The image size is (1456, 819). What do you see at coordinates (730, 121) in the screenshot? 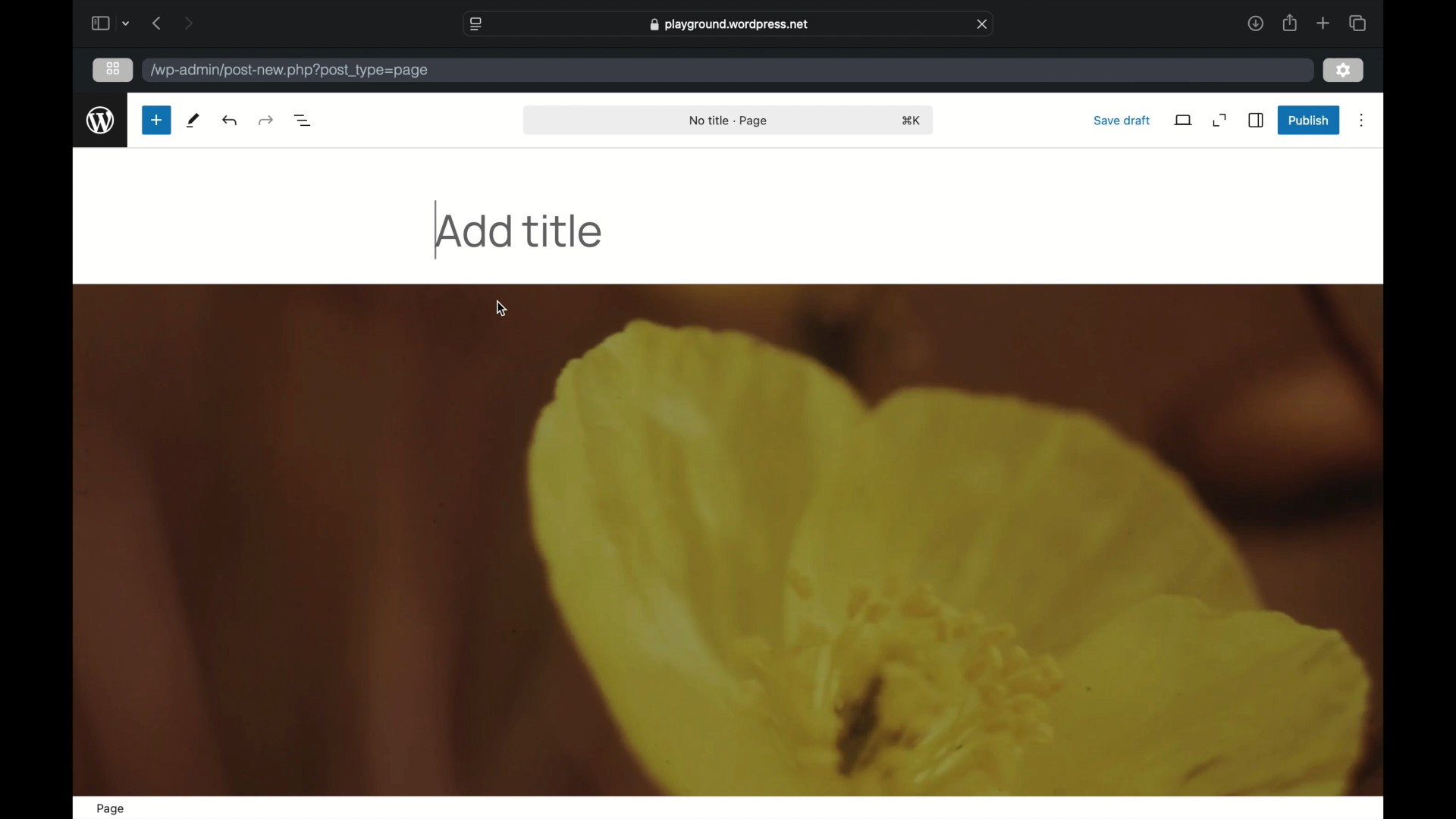
I see `no title - page` at bounding box center [730, 121].